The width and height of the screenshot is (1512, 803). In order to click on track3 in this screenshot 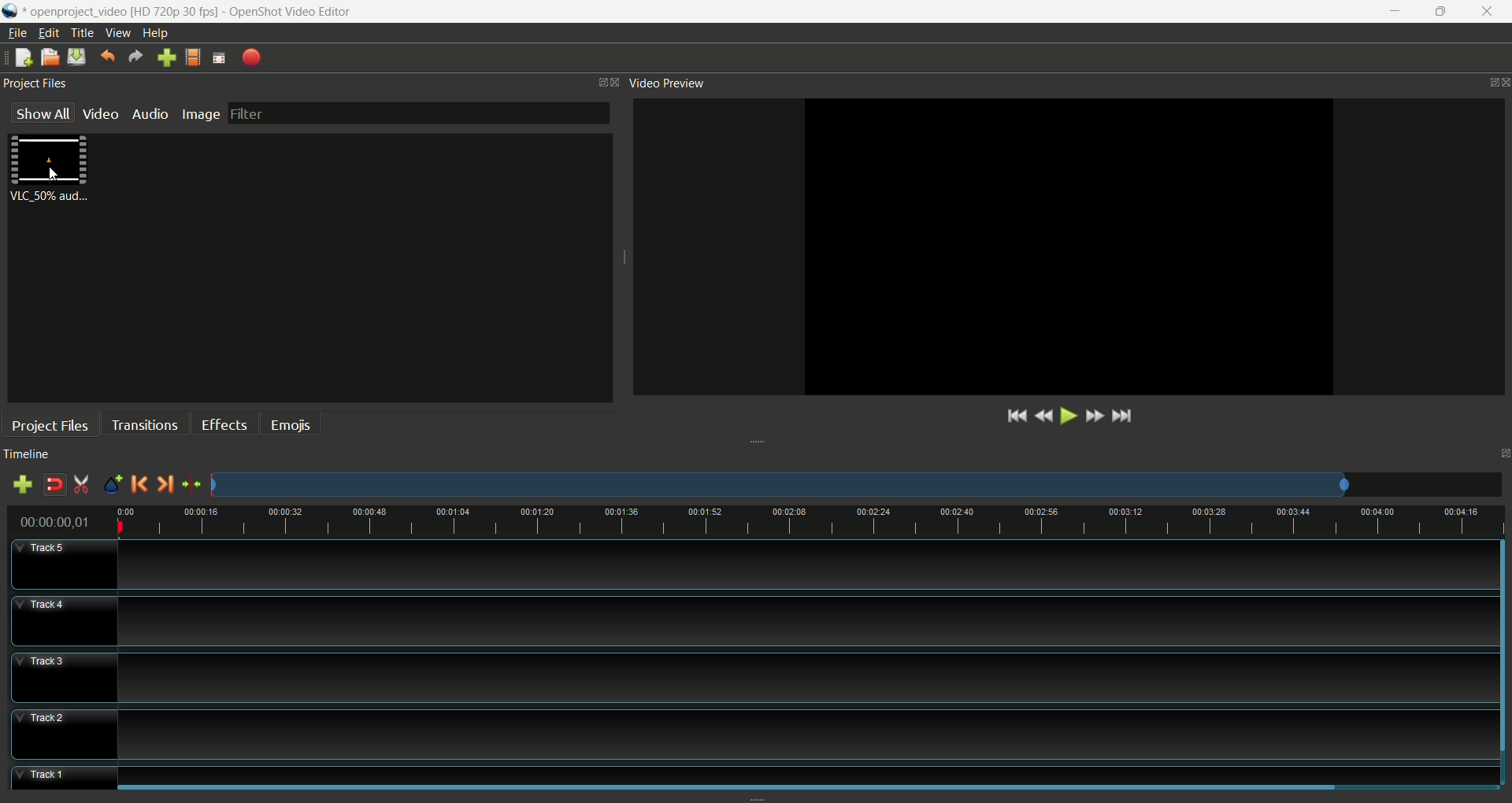, I will do `click(755, 678)`.